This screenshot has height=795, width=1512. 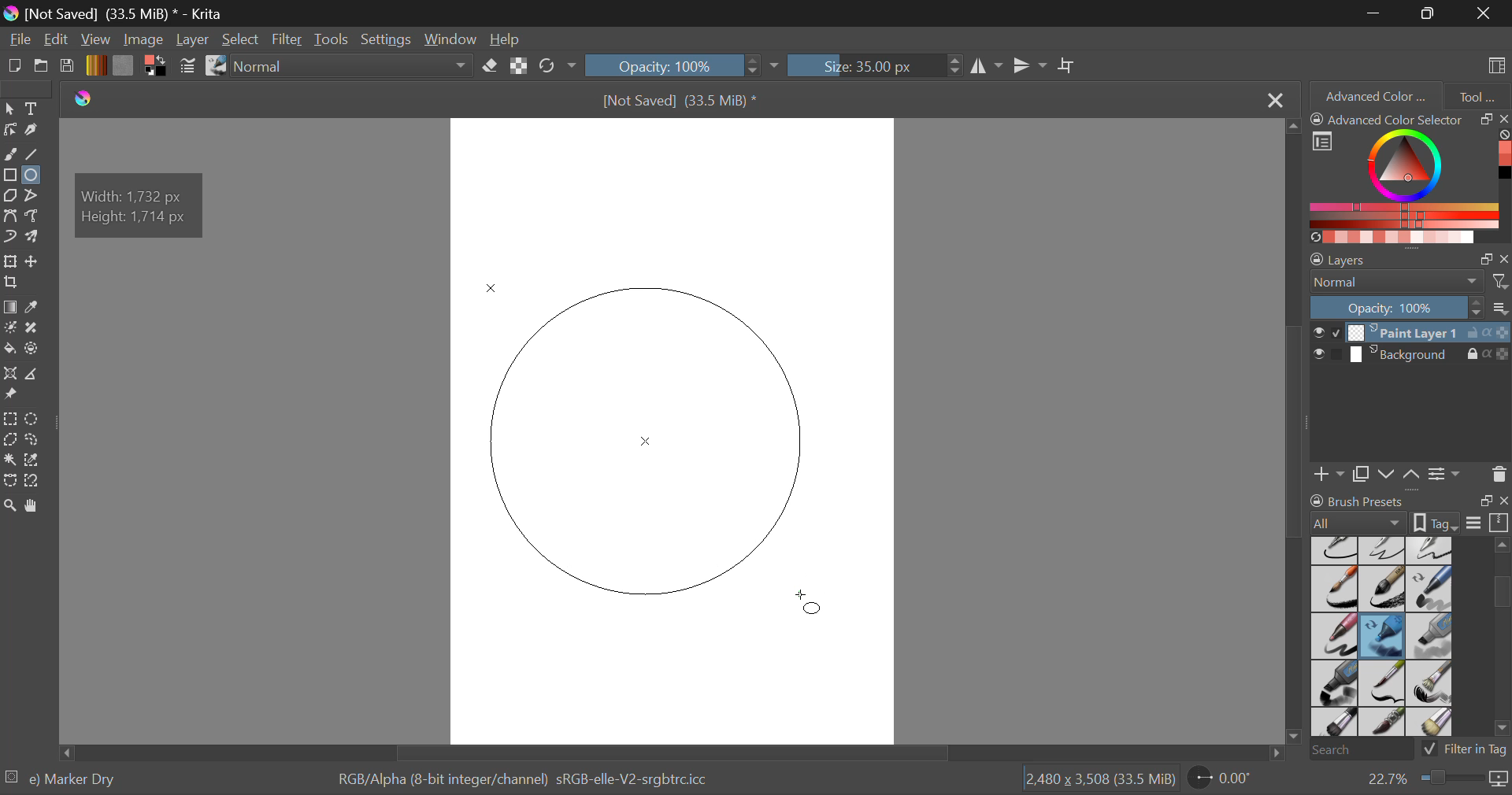 What do you see at coordinates (9, 261) in the screenshot?
I see `Transform a layer` at bounding box center [9, 261].